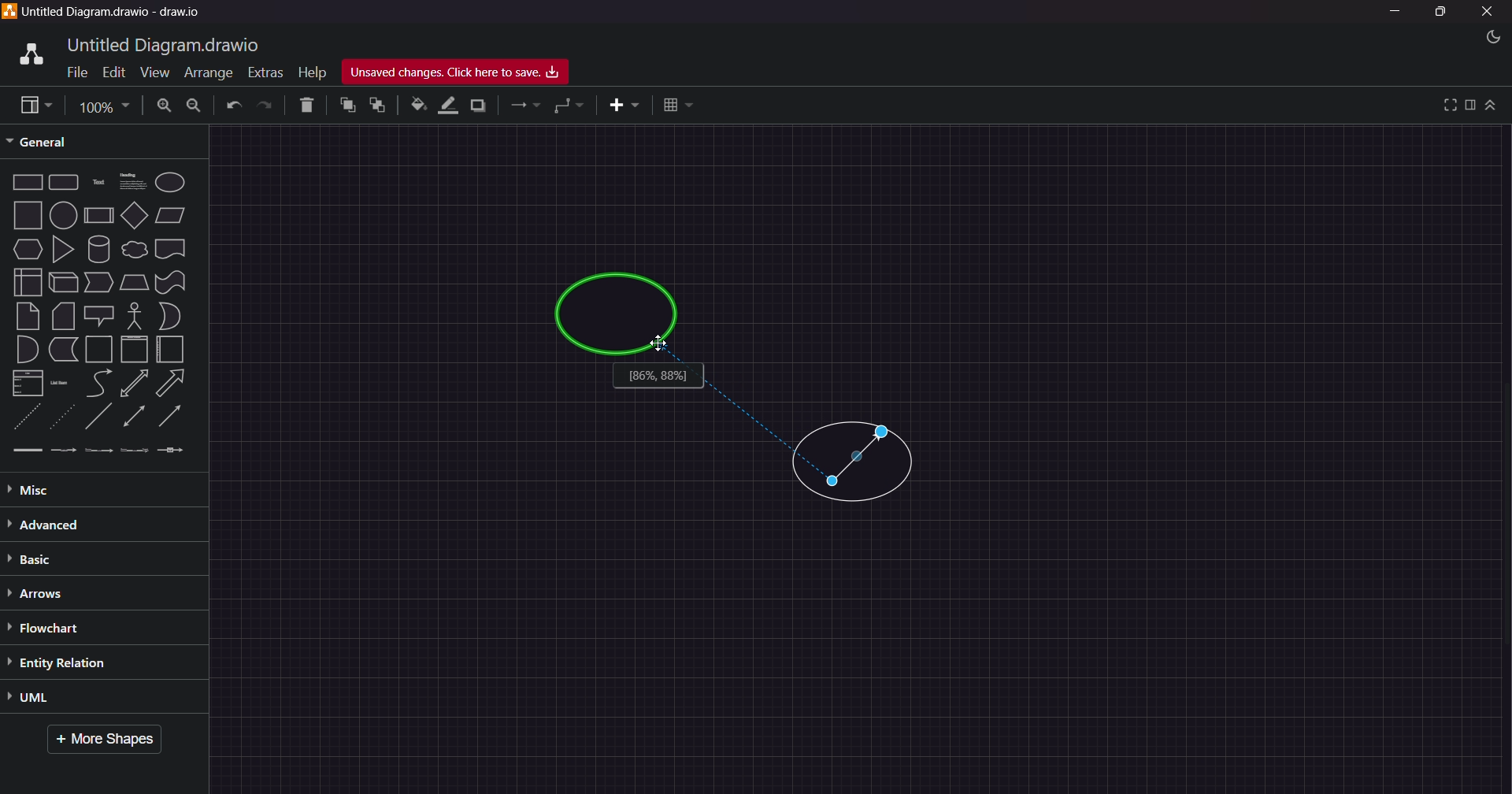  What do you see at coordinates (303, 106) in the screenshot?
I see `Delete` at bounding box center [303, 106].